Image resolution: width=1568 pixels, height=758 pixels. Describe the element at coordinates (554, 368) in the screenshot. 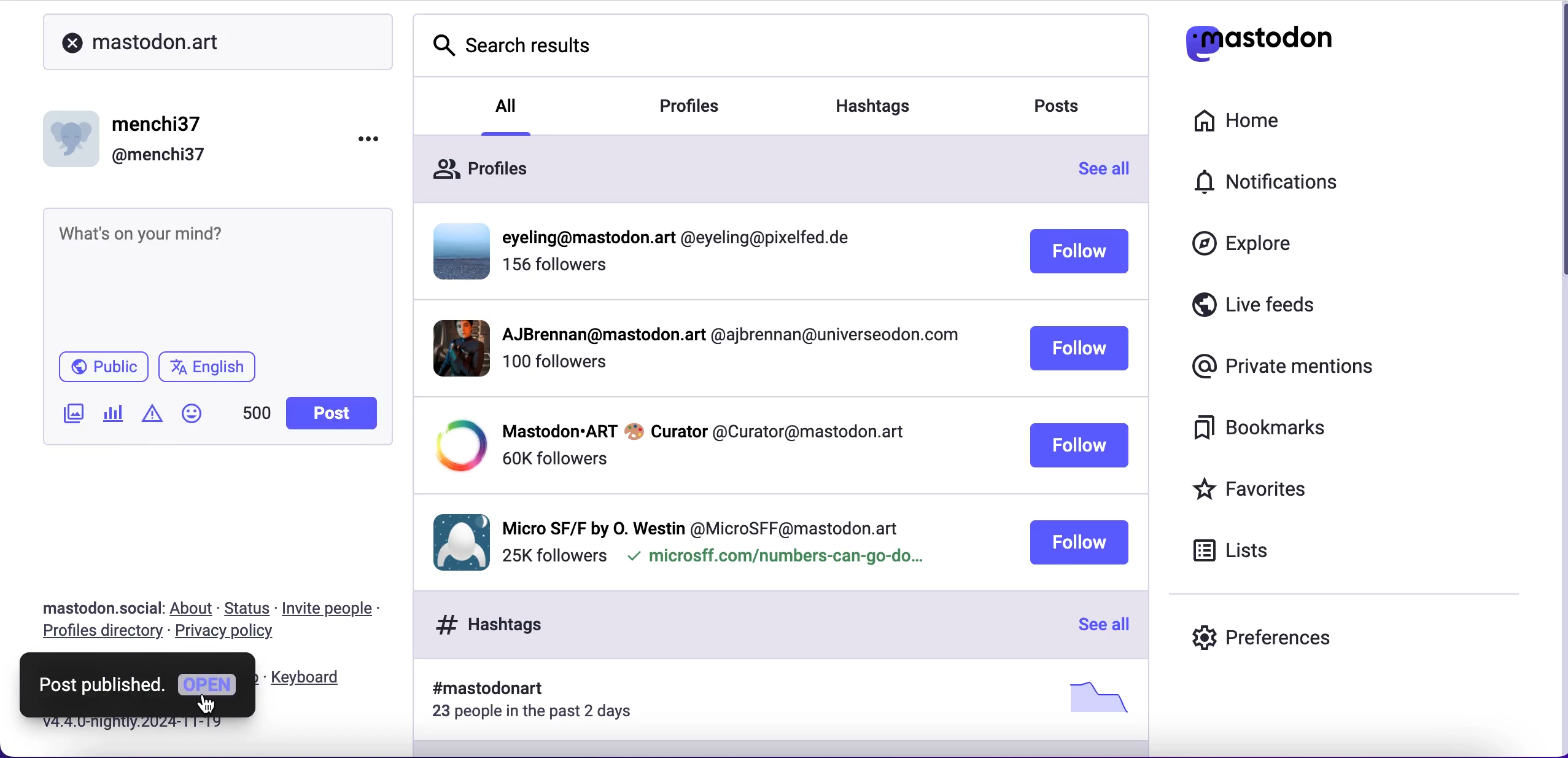

I see `followers` at that location.